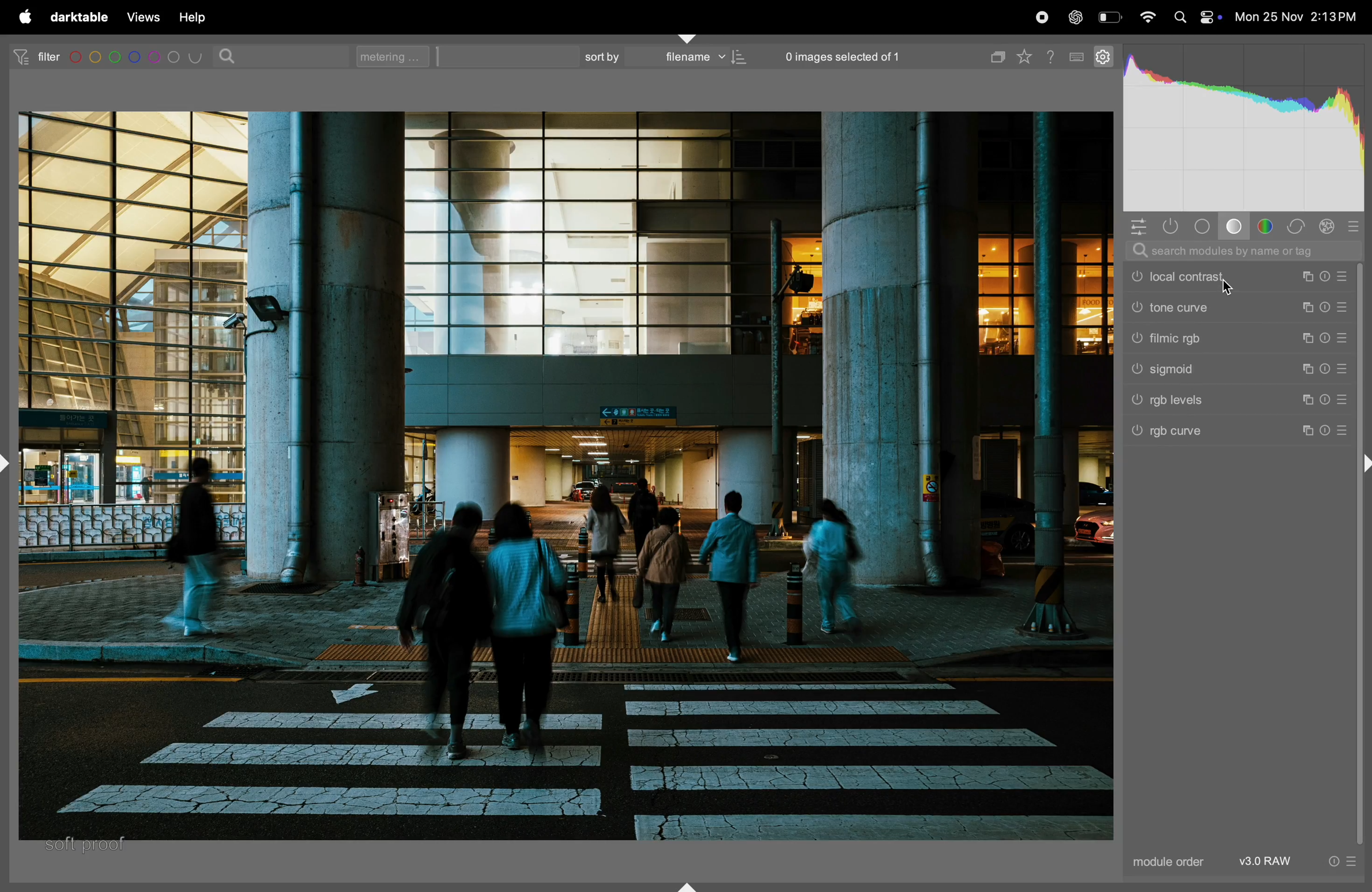 The height and width of the screenshot is (892, 1372). I want to click on rgb curve switched off, so click(1136, 430).